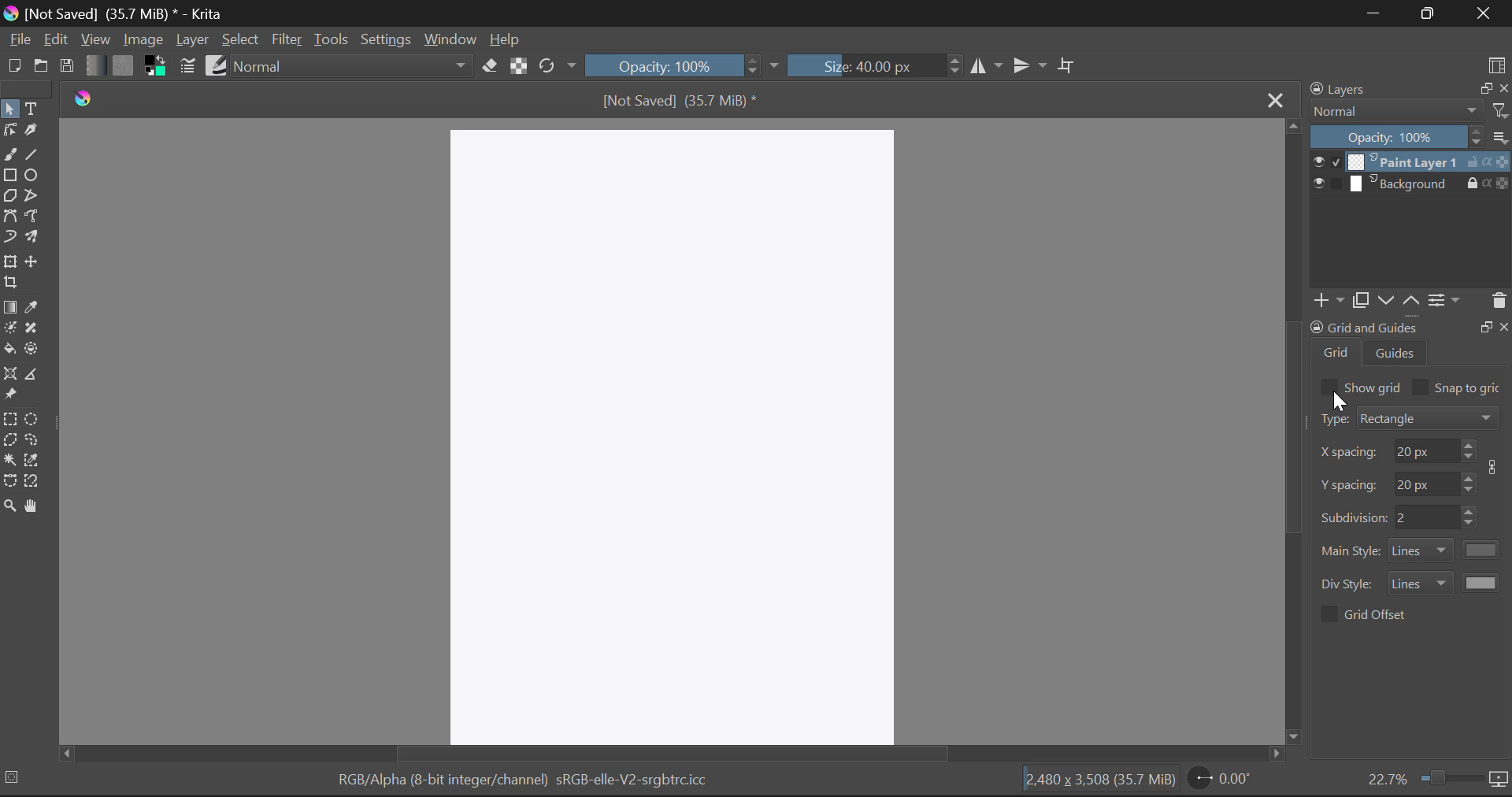 Image resolution: width=1512 pixels, height=797 pixels. What do you see at coordinates (13, 65) in the screenshot?
I see `New` at bounding box center [13, 65].